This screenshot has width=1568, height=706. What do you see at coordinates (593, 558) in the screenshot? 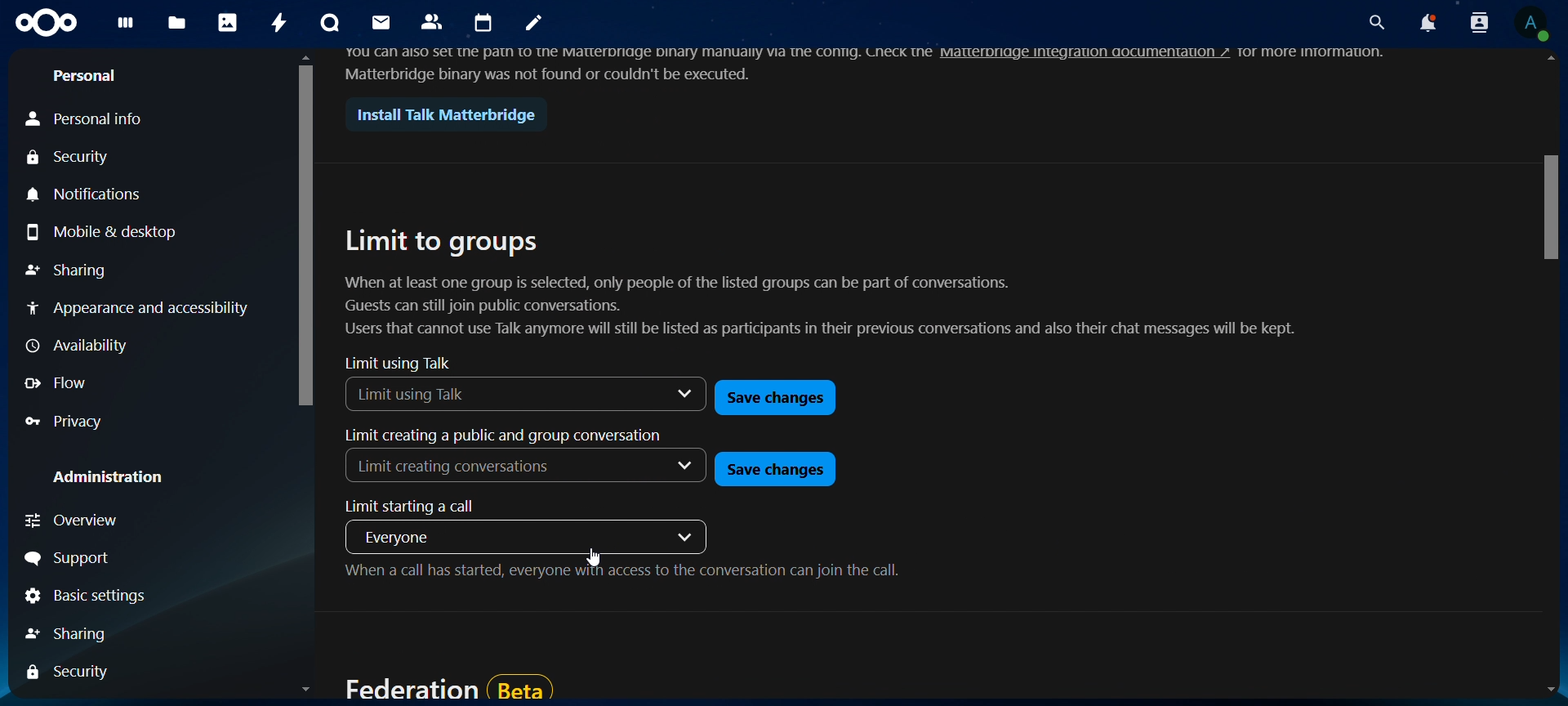
I see `cursor` at bounding box center [593, 558].